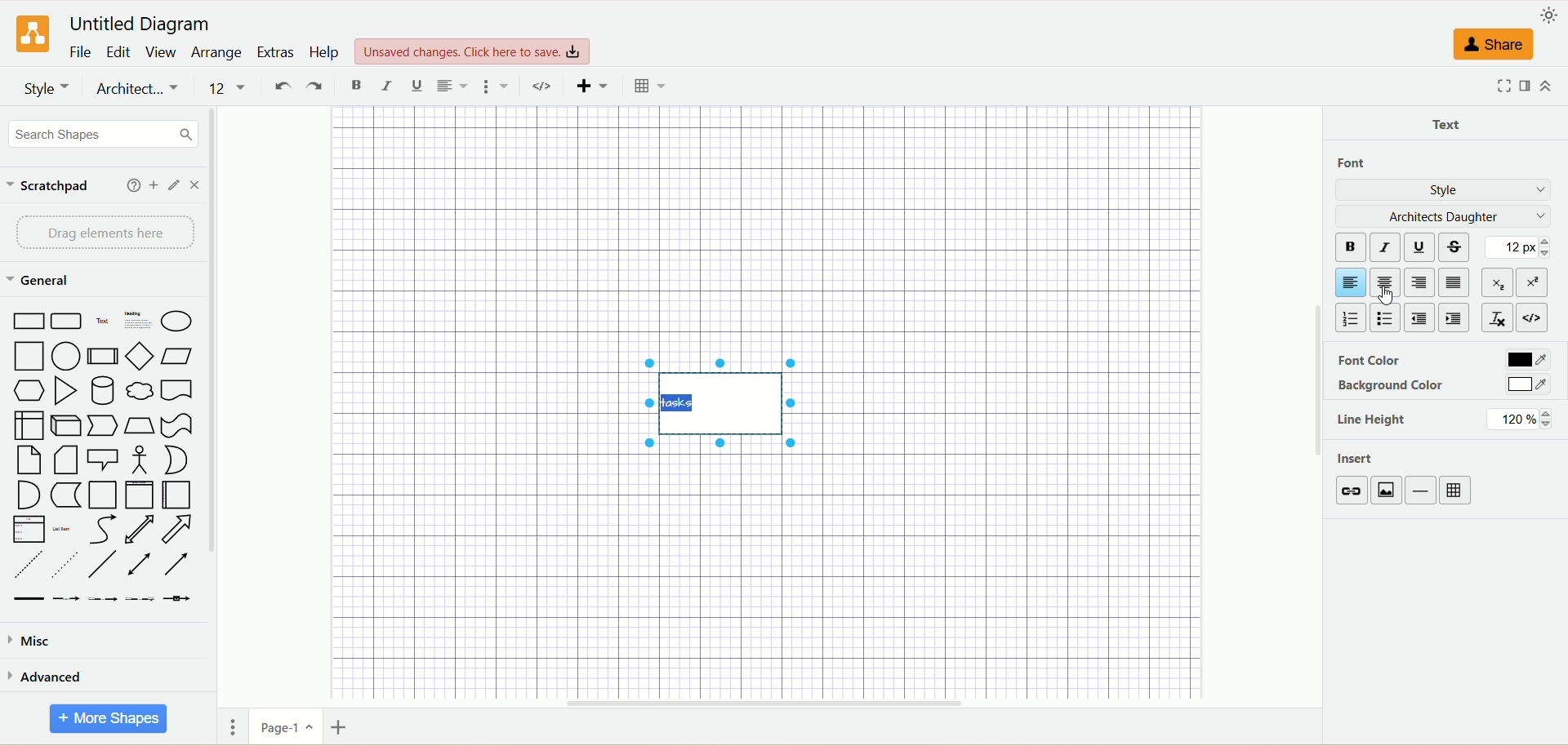  I want to click on Page, so click(30, 461).